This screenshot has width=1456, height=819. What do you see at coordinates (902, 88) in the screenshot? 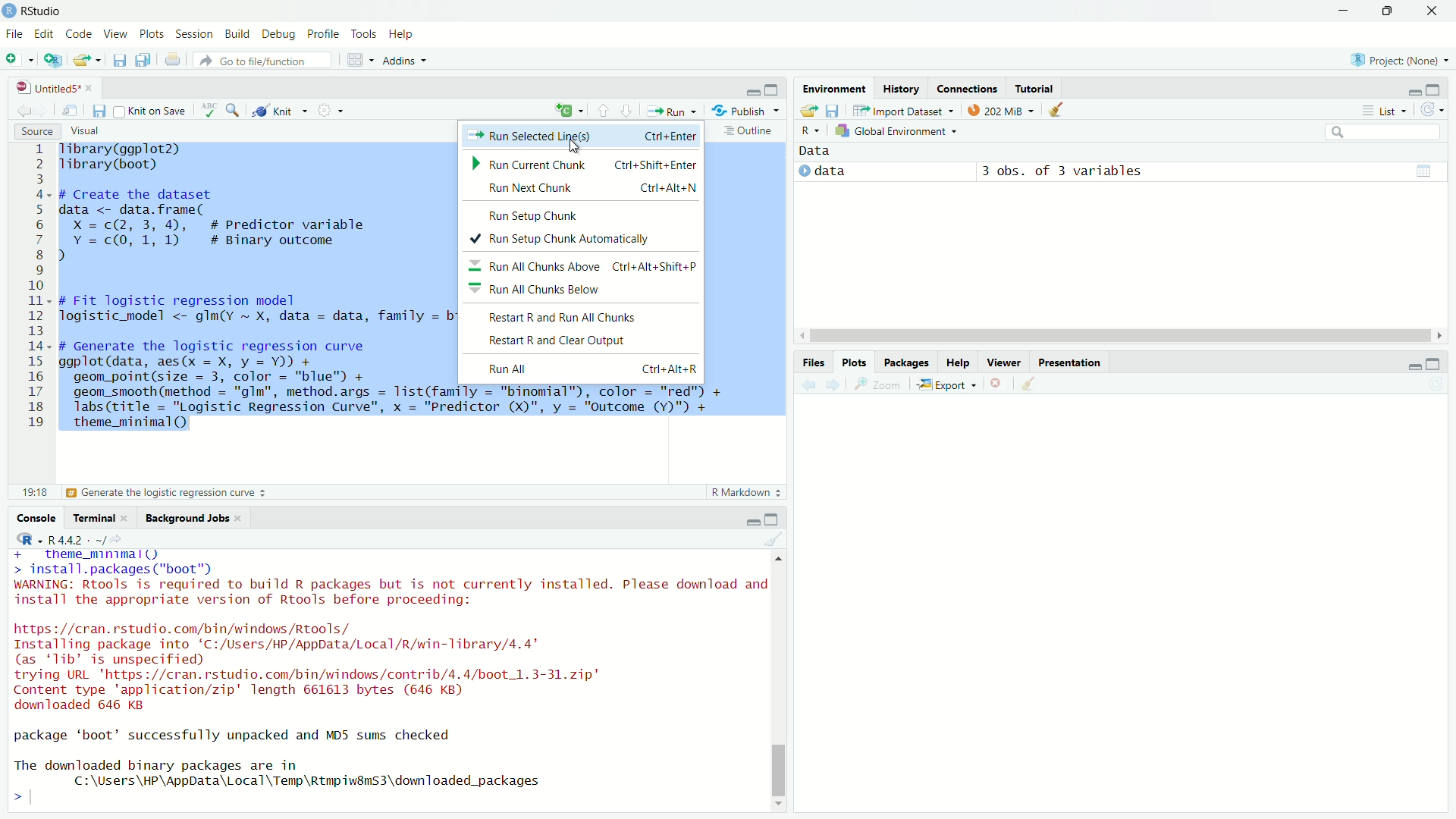
I see `History` at bounding box center [902, 88].